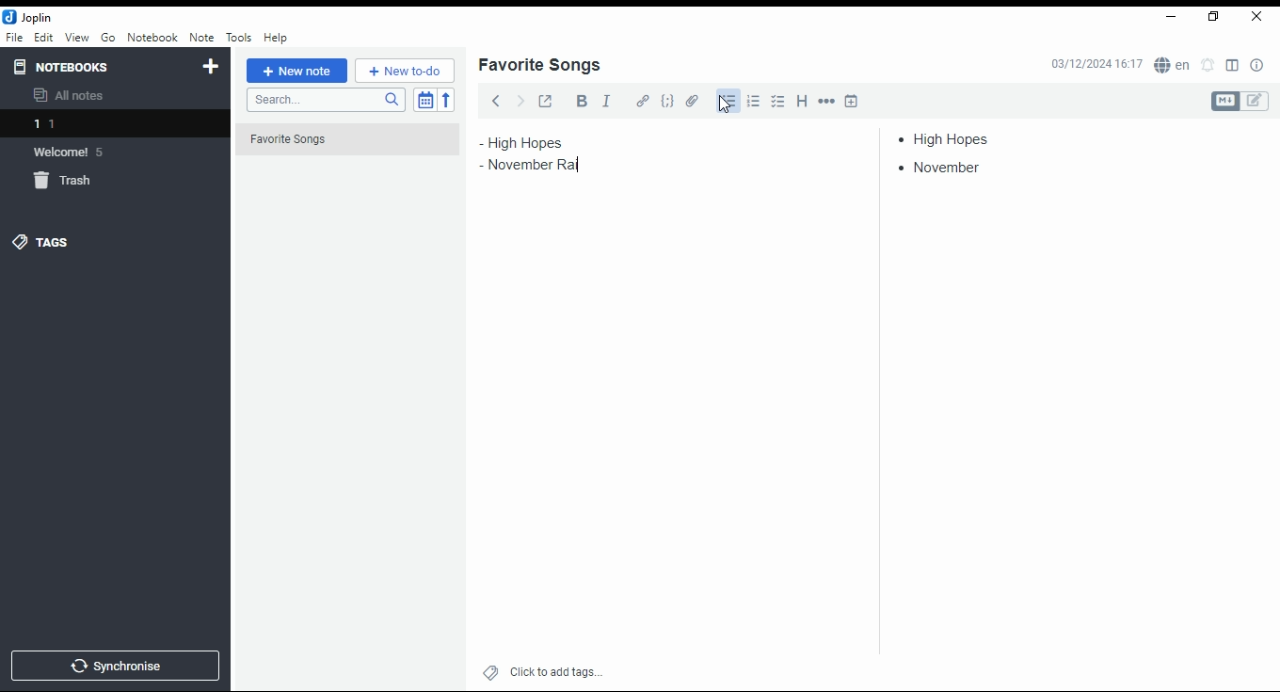 The width and height of the screenshot is (1280, 692). Describe the element at coordinates (1096, 64) in the screenshot. I see `03/12/2024 16:16` at that location.